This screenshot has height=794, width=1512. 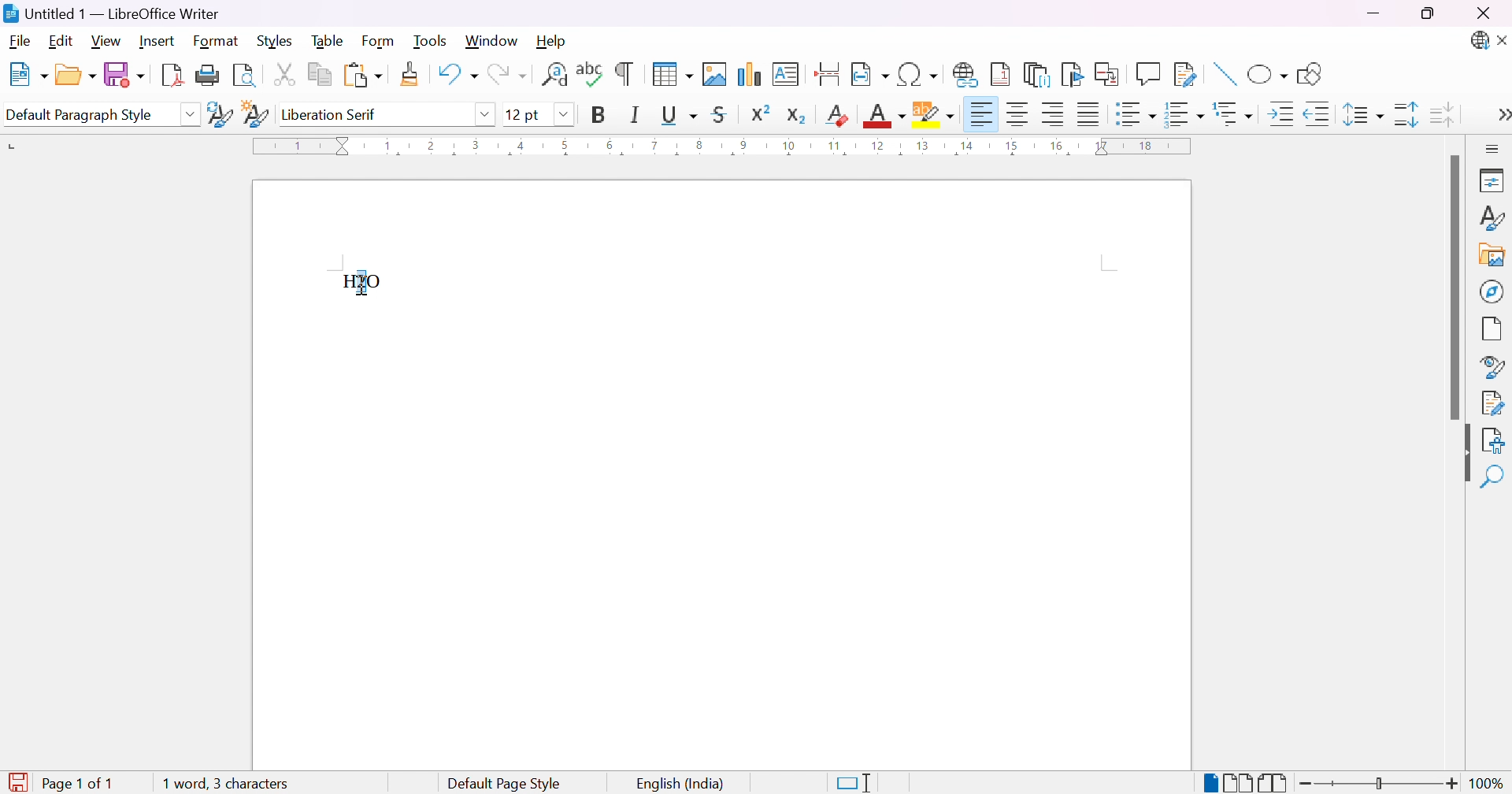 What do you see at coordinates (1236, 114) in the screenshot?
I see `Select outline format` at bounding box center [1236, 114].